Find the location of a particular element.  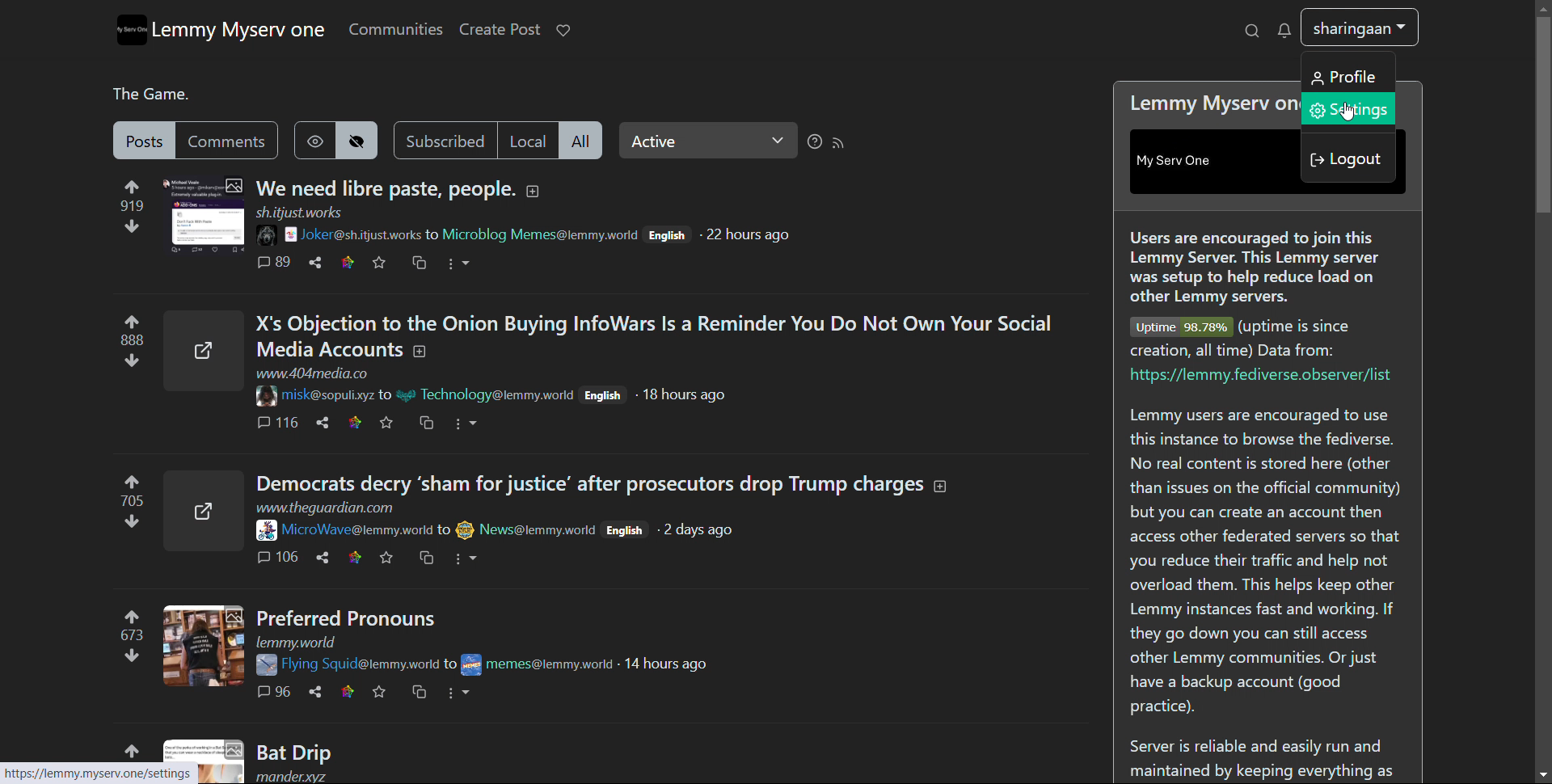

https://lemmy.fediverse.observer/list is located at coordinates (1262, 380).